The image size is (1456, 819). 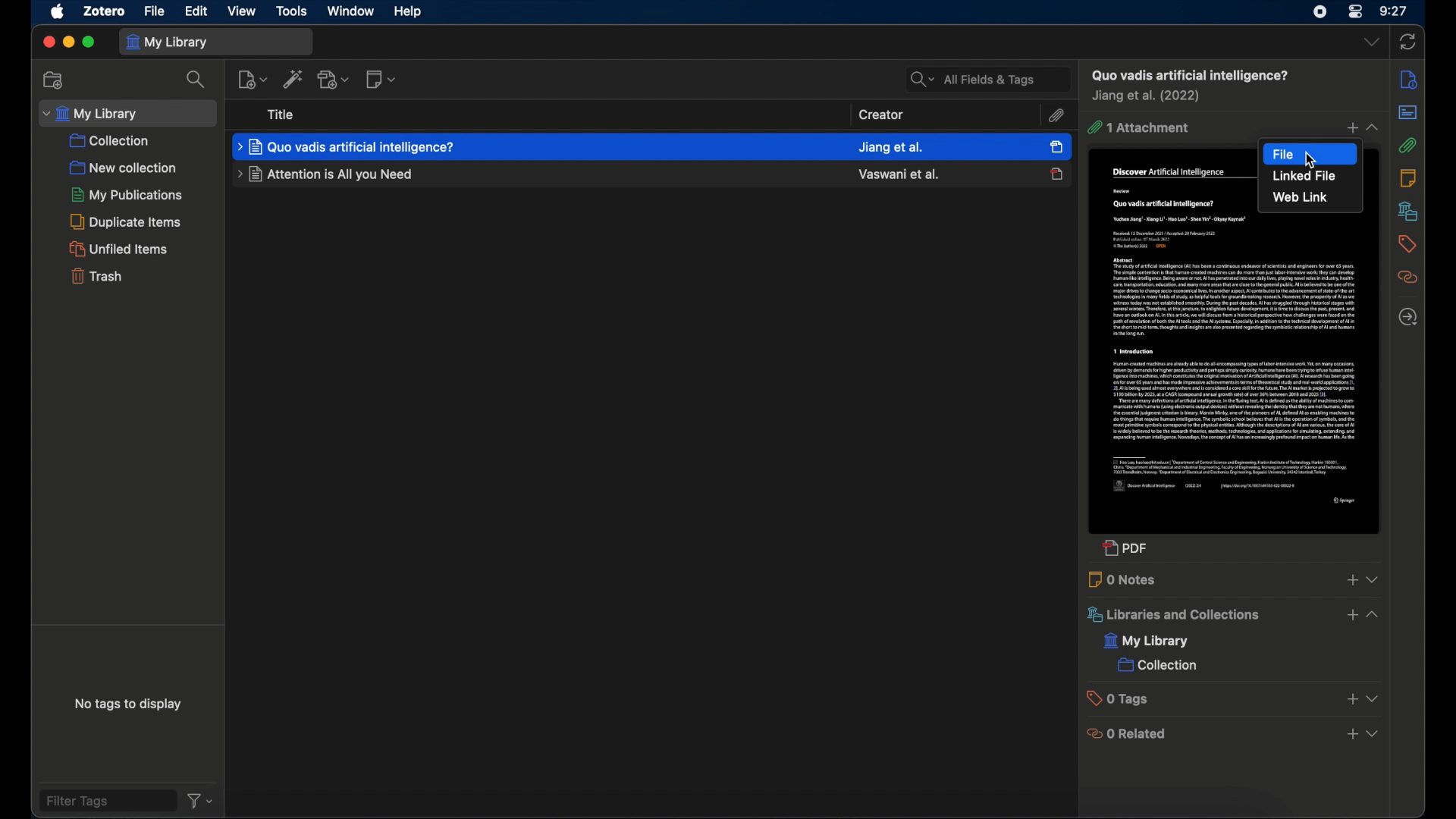 What do you see at coordinates (891, 146) in the screenshot?
I see `creator` at bounding box center [891, 146].